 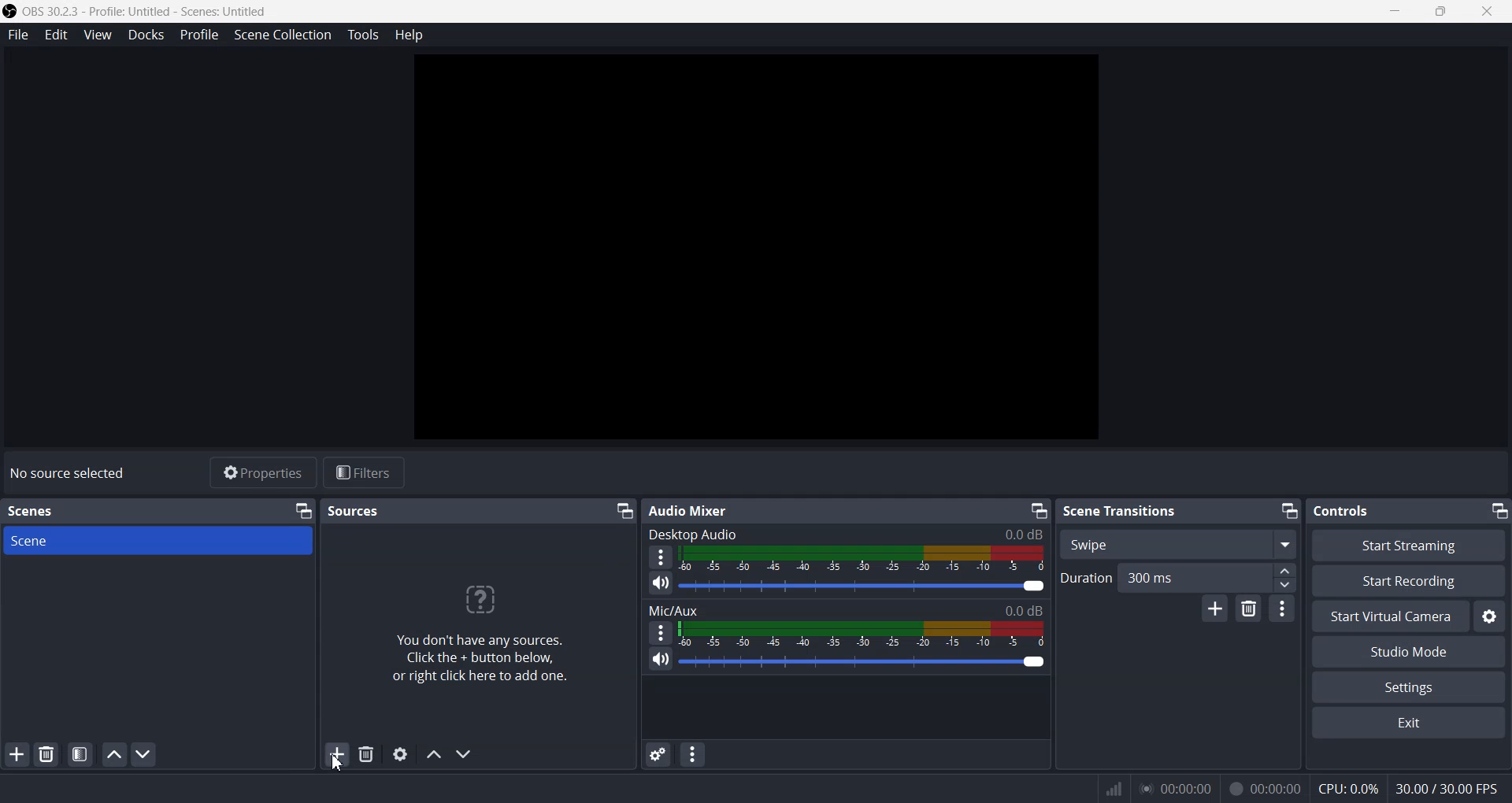 I want to click on Properties, so click(x=262, y=472).